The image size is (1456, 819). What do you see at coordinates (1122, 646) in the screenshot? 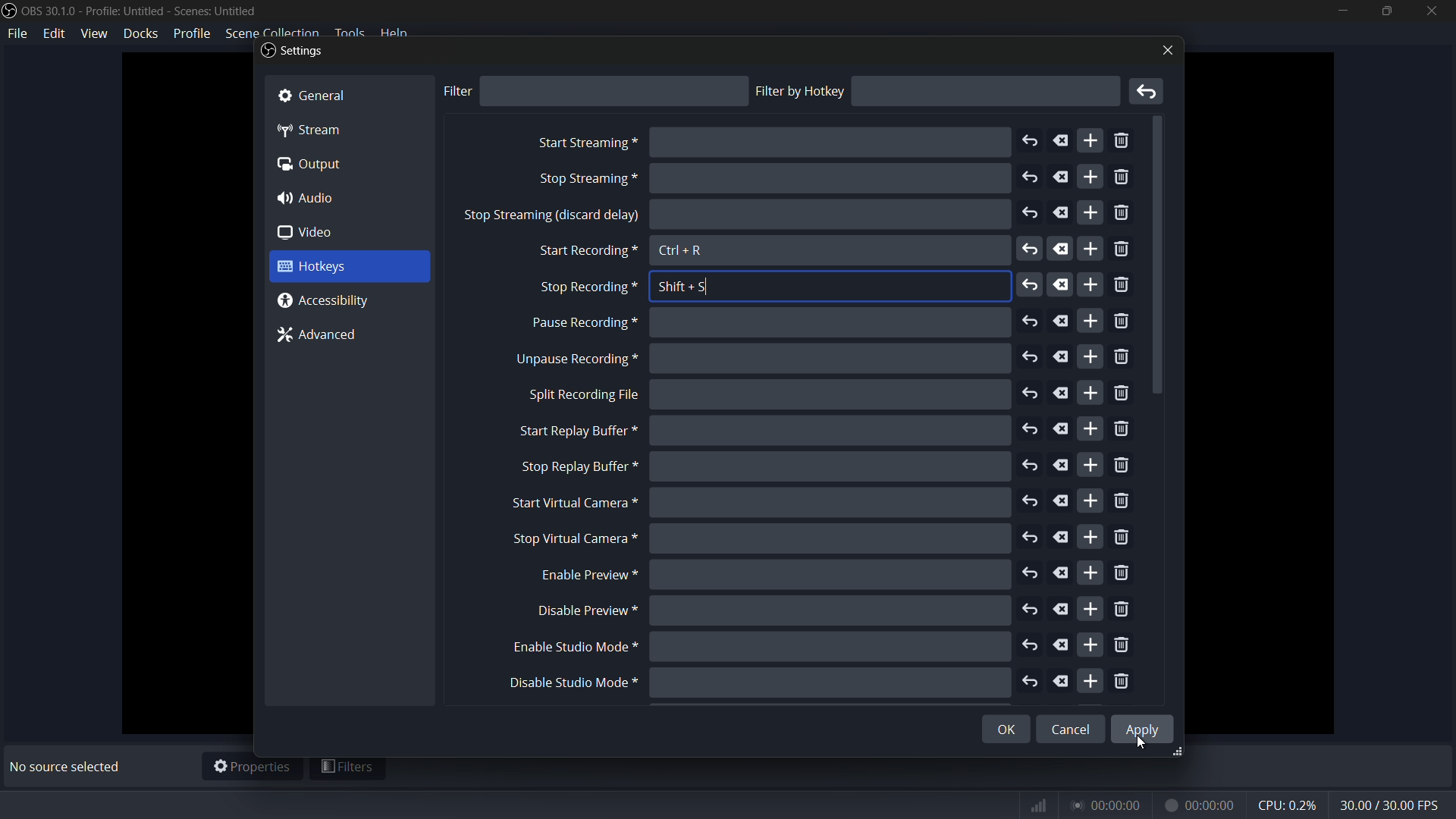
I see `remove` at bounding box center [1122, 646].